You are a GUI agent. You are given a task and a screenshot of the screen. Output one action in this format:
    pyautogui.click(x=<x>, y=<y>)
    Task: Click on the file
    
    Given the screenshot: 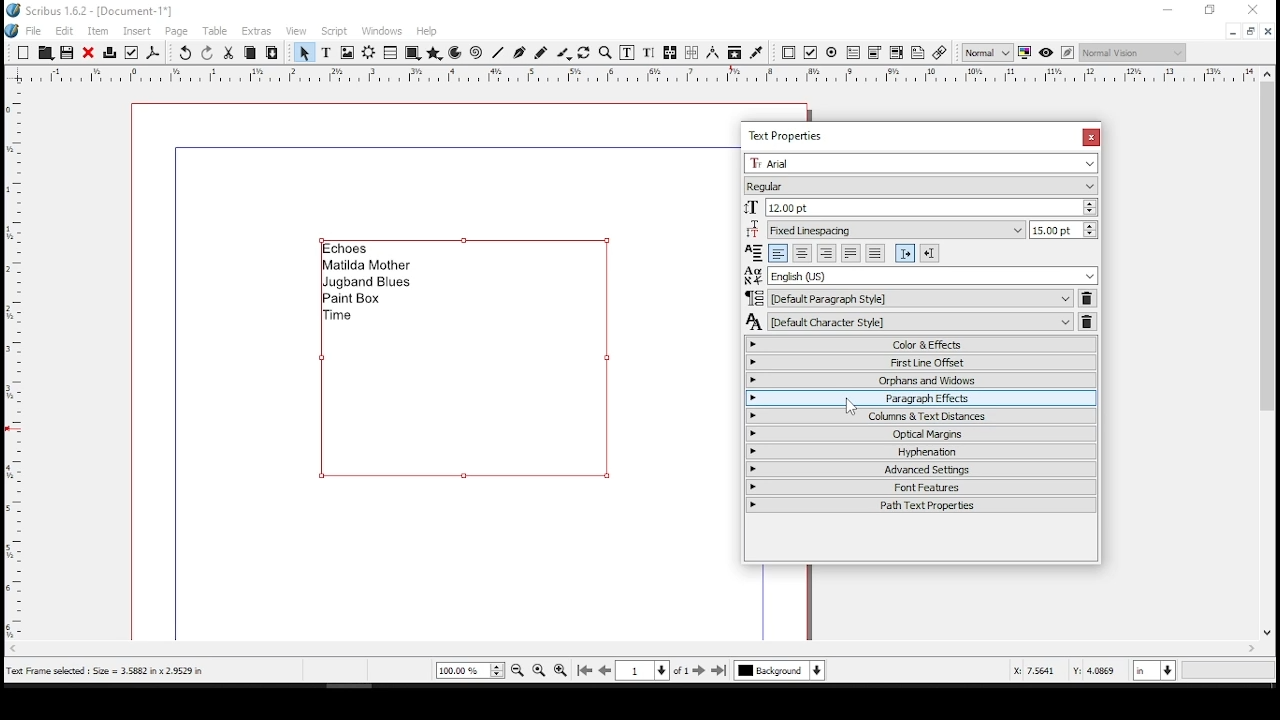 What is the action you would take?
    pyautogui.click(x=36, y=30)
    